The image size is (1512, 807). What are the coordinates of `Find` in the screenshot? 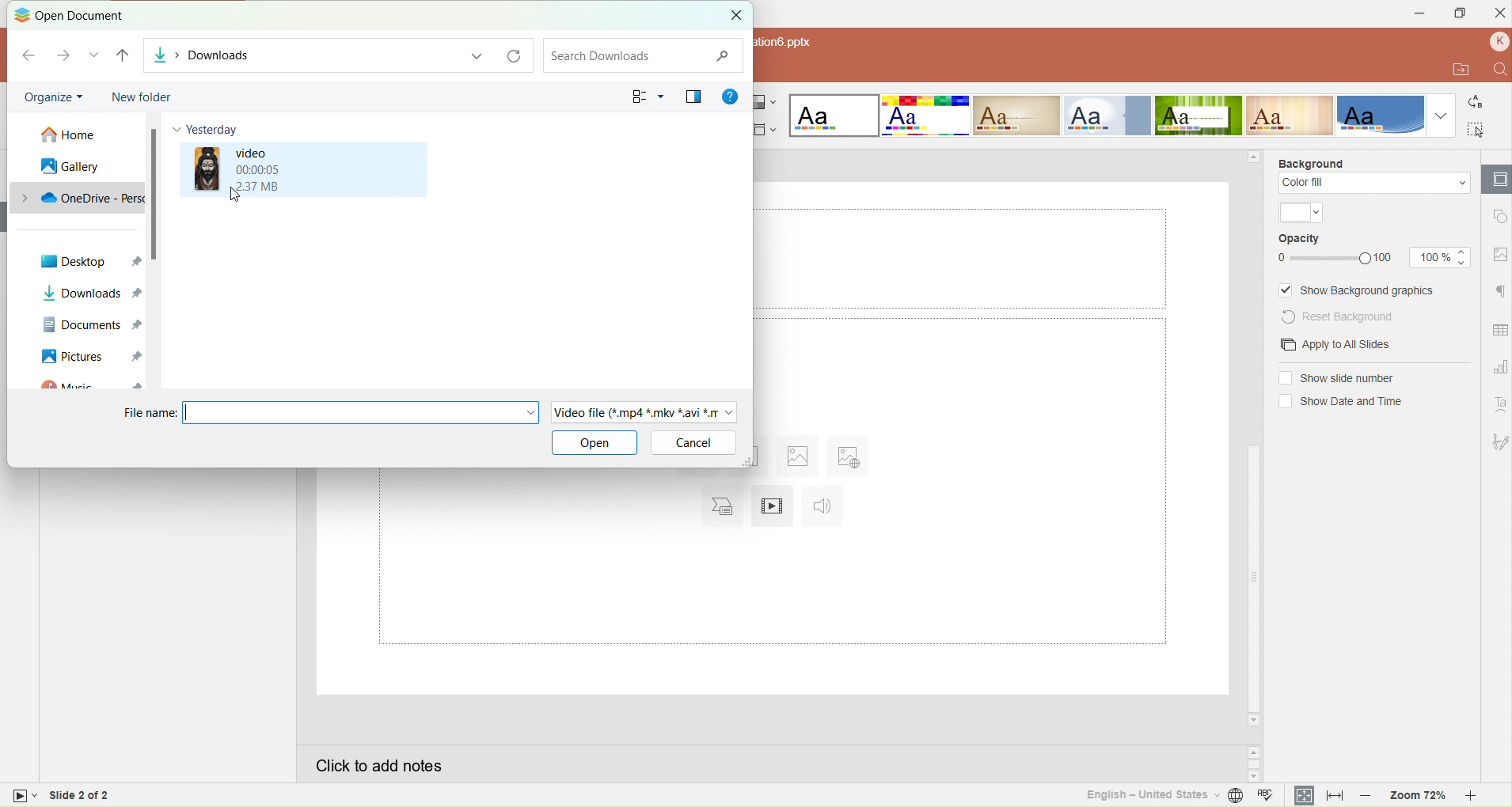 It's located at (1497, 70).